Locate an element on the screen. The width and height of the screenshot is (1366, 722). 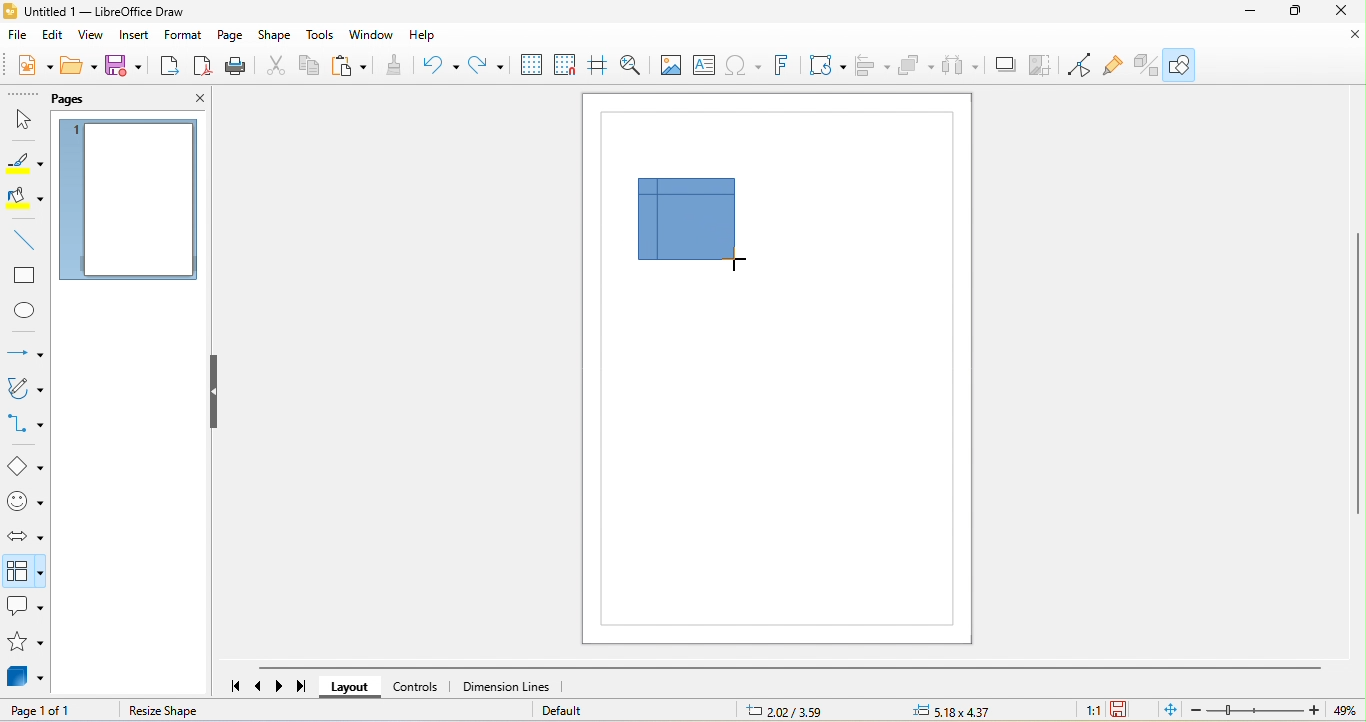
insert is located at coordinates (136, 38).